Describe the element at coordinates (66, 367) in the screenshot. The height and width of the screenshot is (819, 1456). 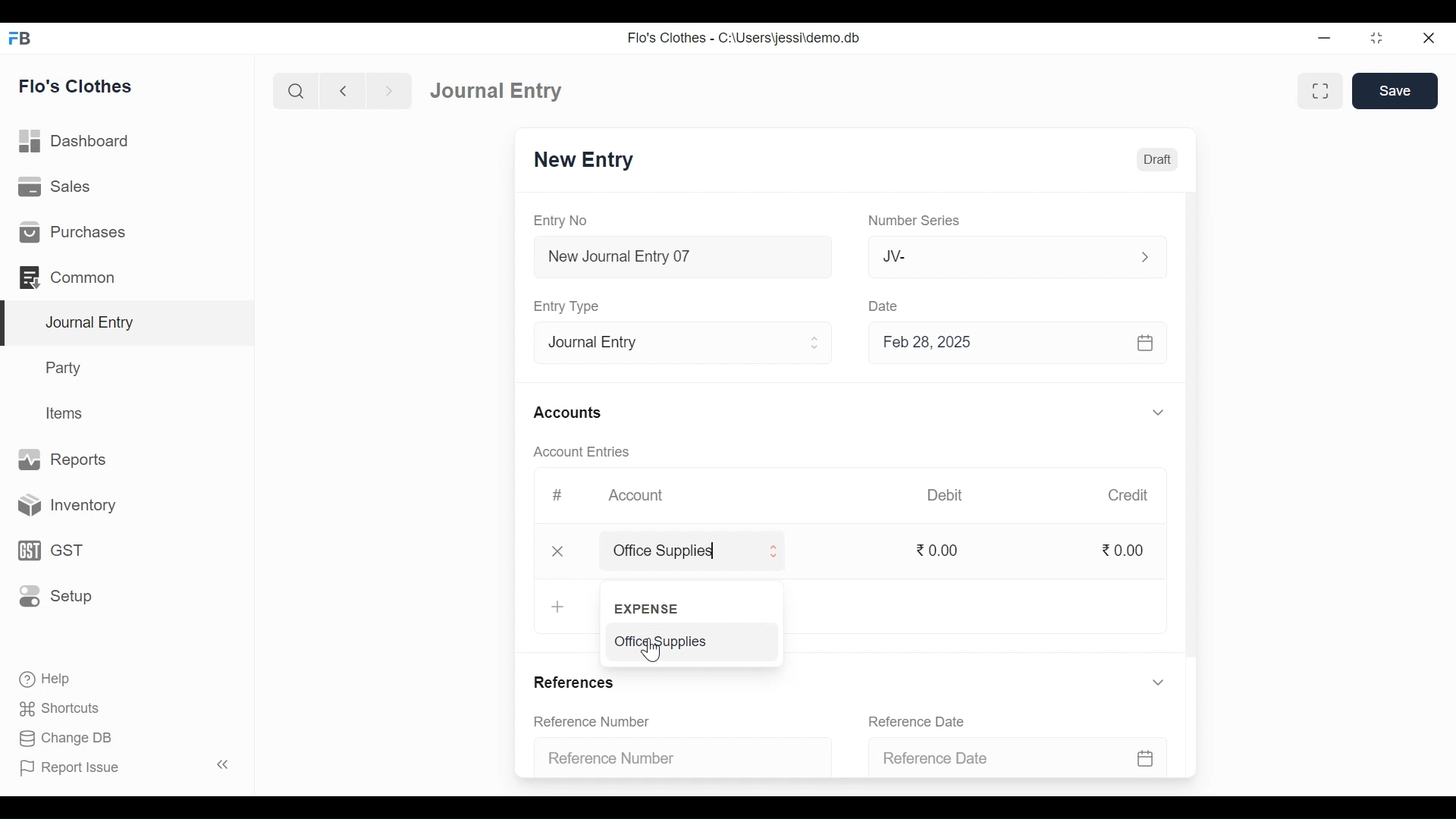
I see `Party` at that location.